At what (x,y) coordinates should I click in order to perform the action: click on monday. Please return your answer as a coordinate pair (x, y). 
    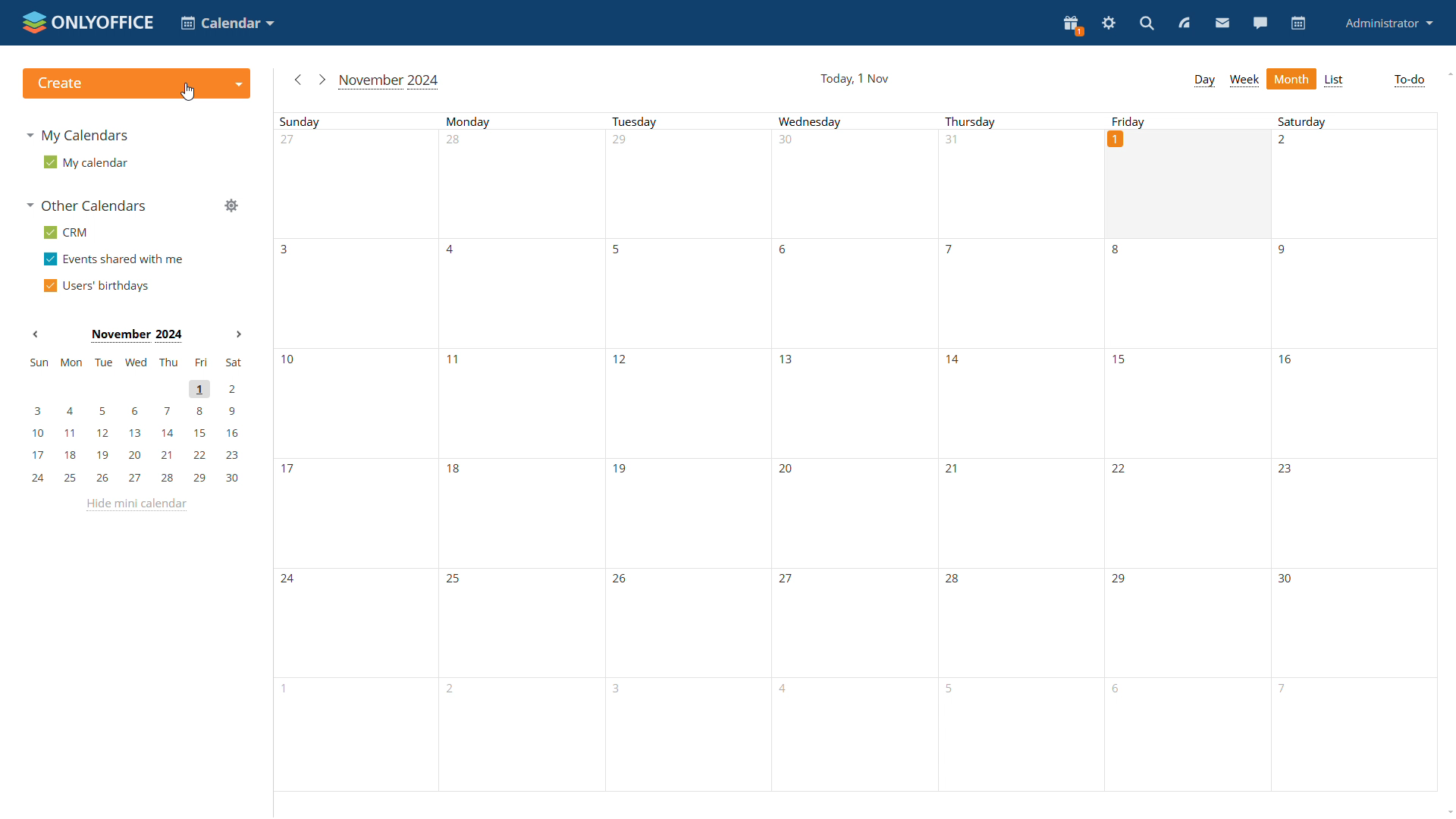
    Looking at the image, I should click on (522, 453).